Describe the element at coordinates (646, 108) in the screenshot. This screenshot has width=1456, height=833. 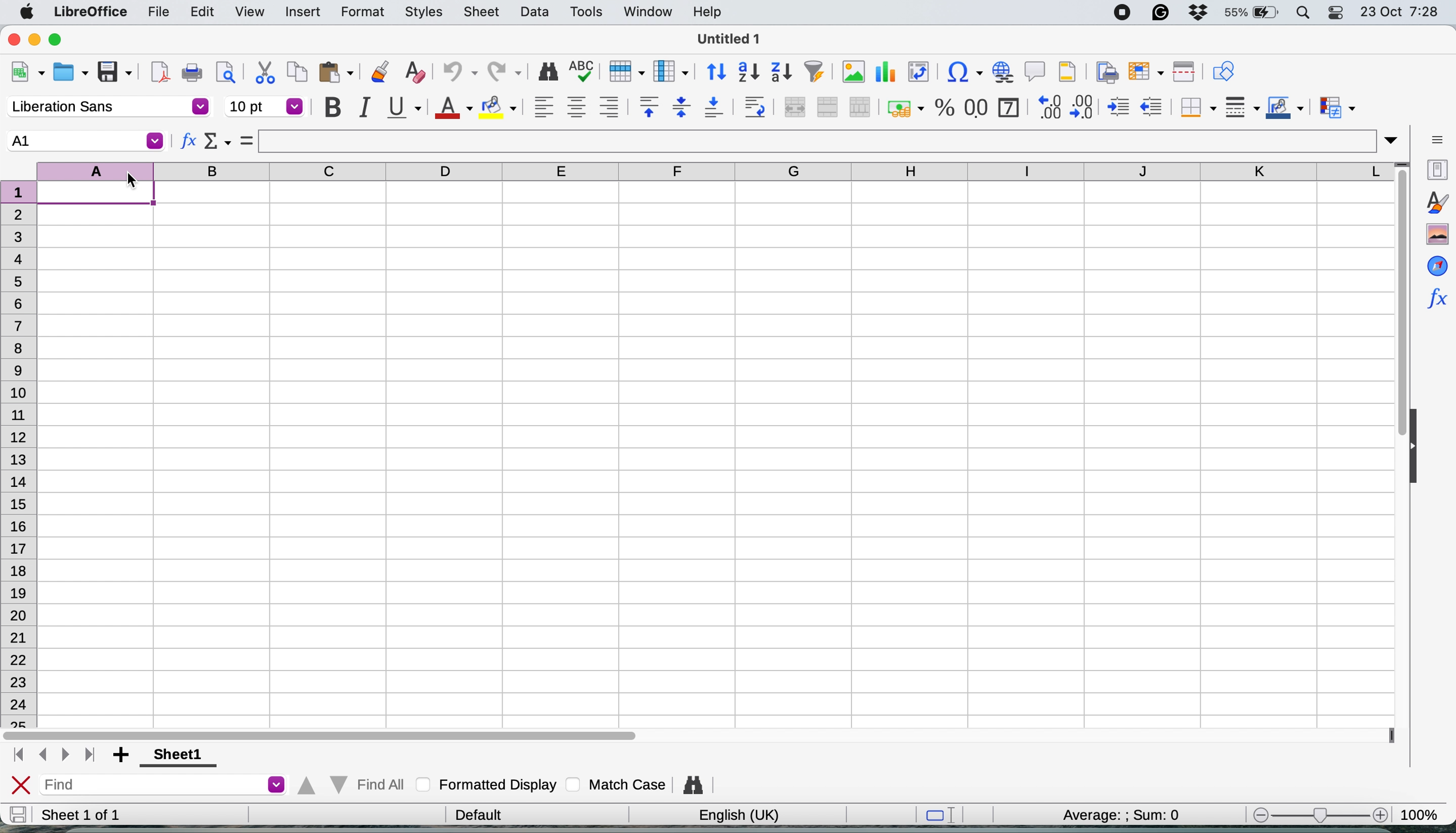
I see `align top` at that location.